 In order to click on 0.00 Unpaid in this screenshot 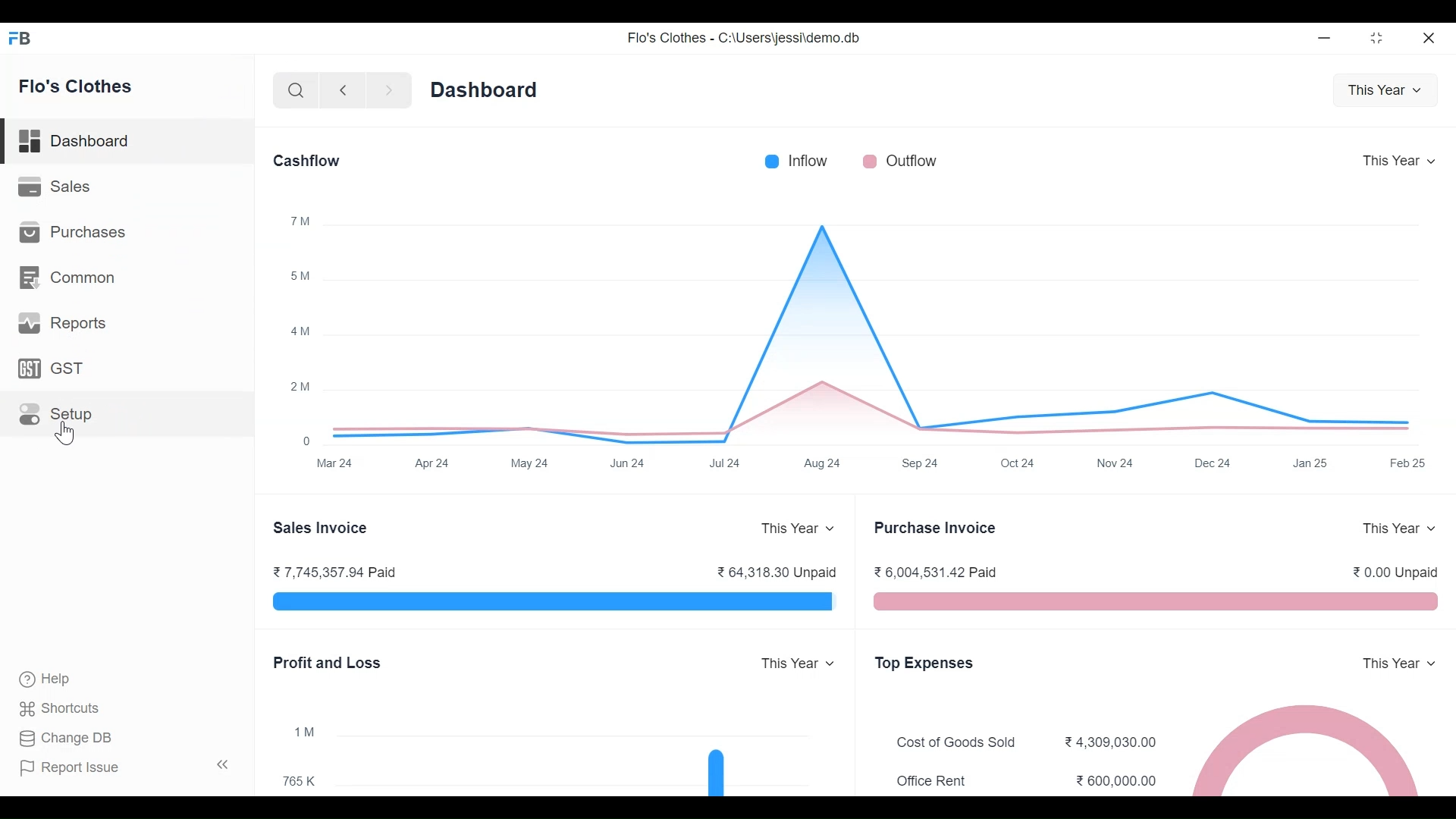, I will do `click(1395, 573)`.